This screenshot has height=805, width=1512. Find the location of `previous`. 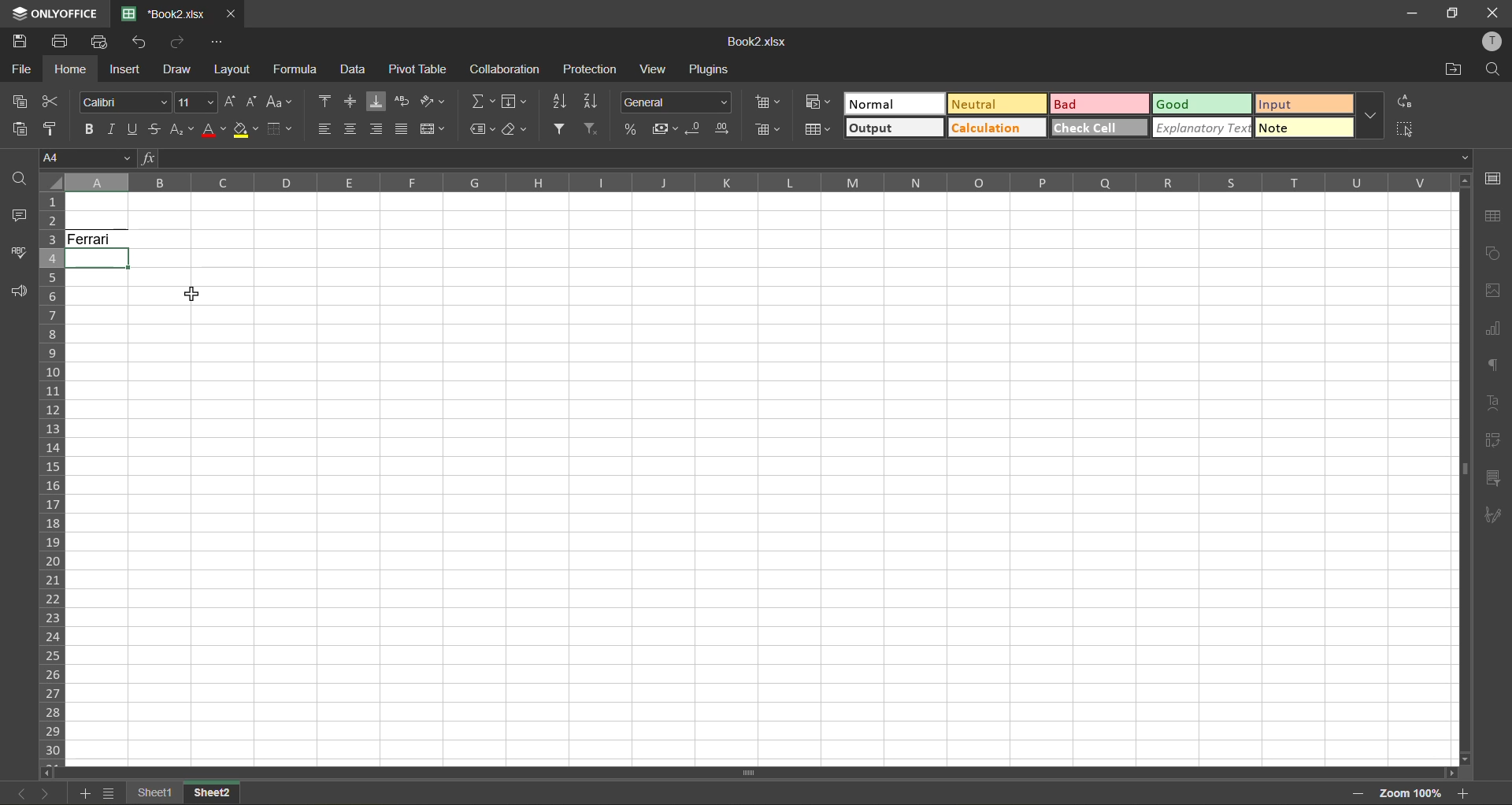

previous is located at coordinates (17, 793).